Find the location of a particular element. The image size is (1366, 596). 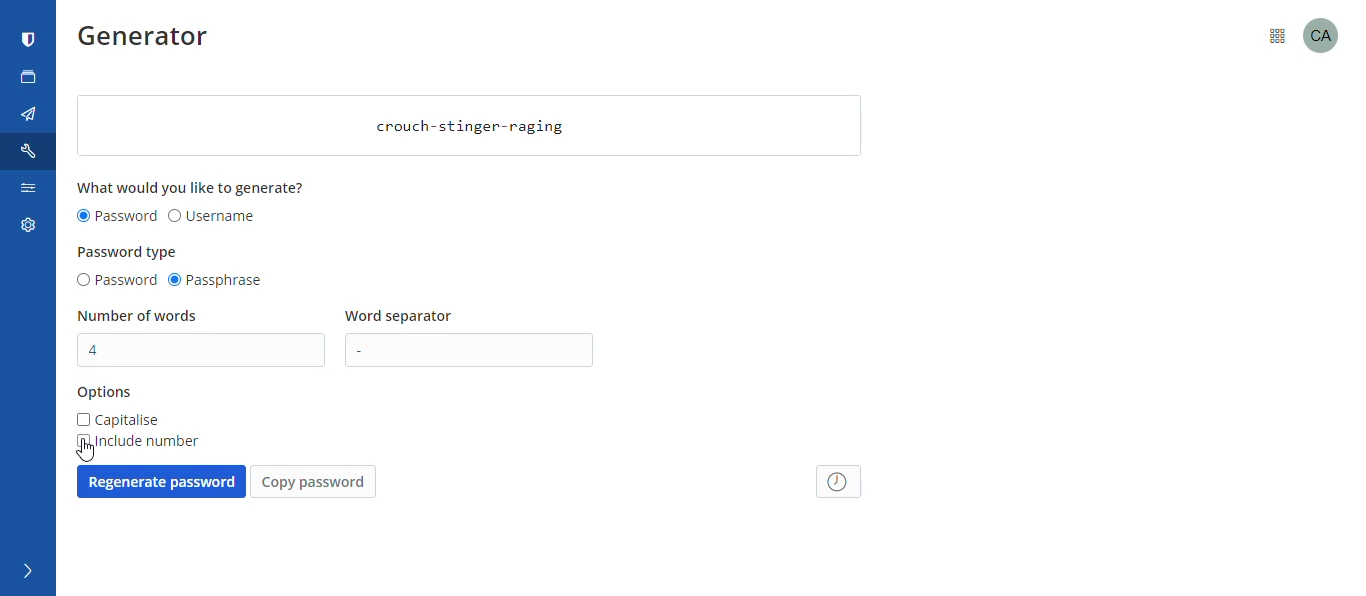

bitwarden logo is located at coordinates (29, 40).